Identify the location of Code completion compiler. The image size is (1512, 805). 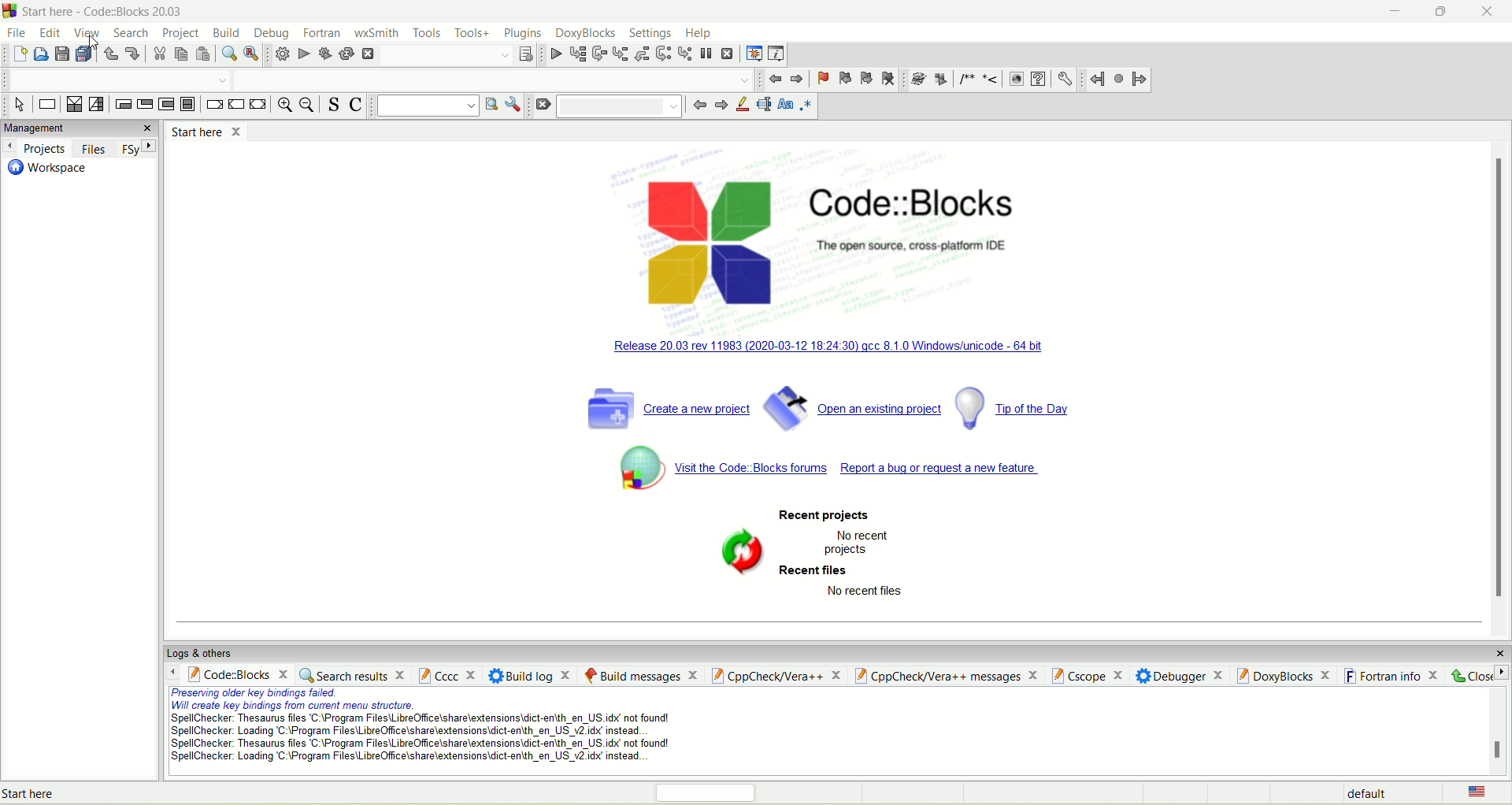
(115, 79).